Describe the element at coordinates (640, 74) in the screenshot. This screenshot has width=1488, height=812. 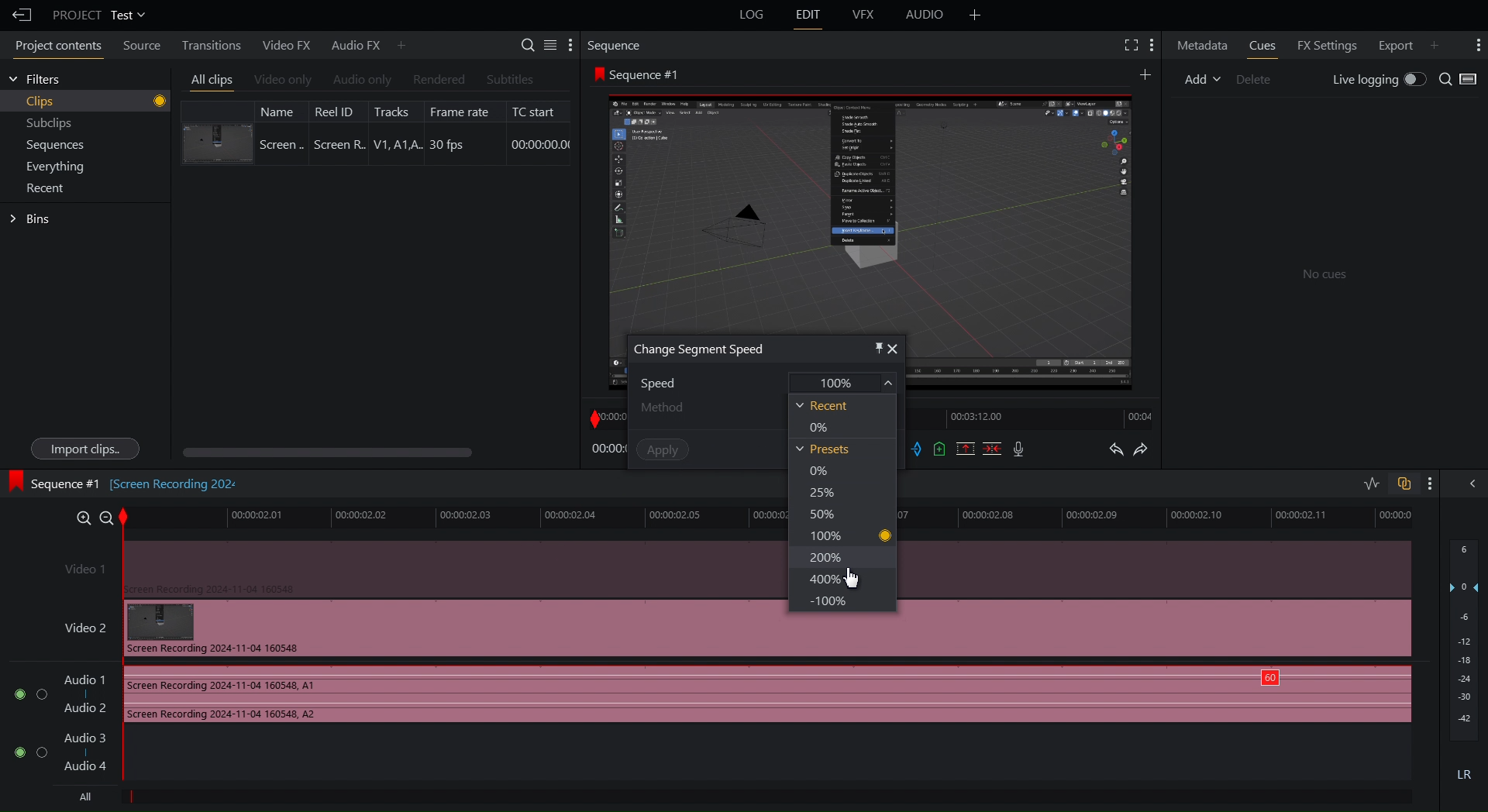
I see `Sequence #1` at that location.